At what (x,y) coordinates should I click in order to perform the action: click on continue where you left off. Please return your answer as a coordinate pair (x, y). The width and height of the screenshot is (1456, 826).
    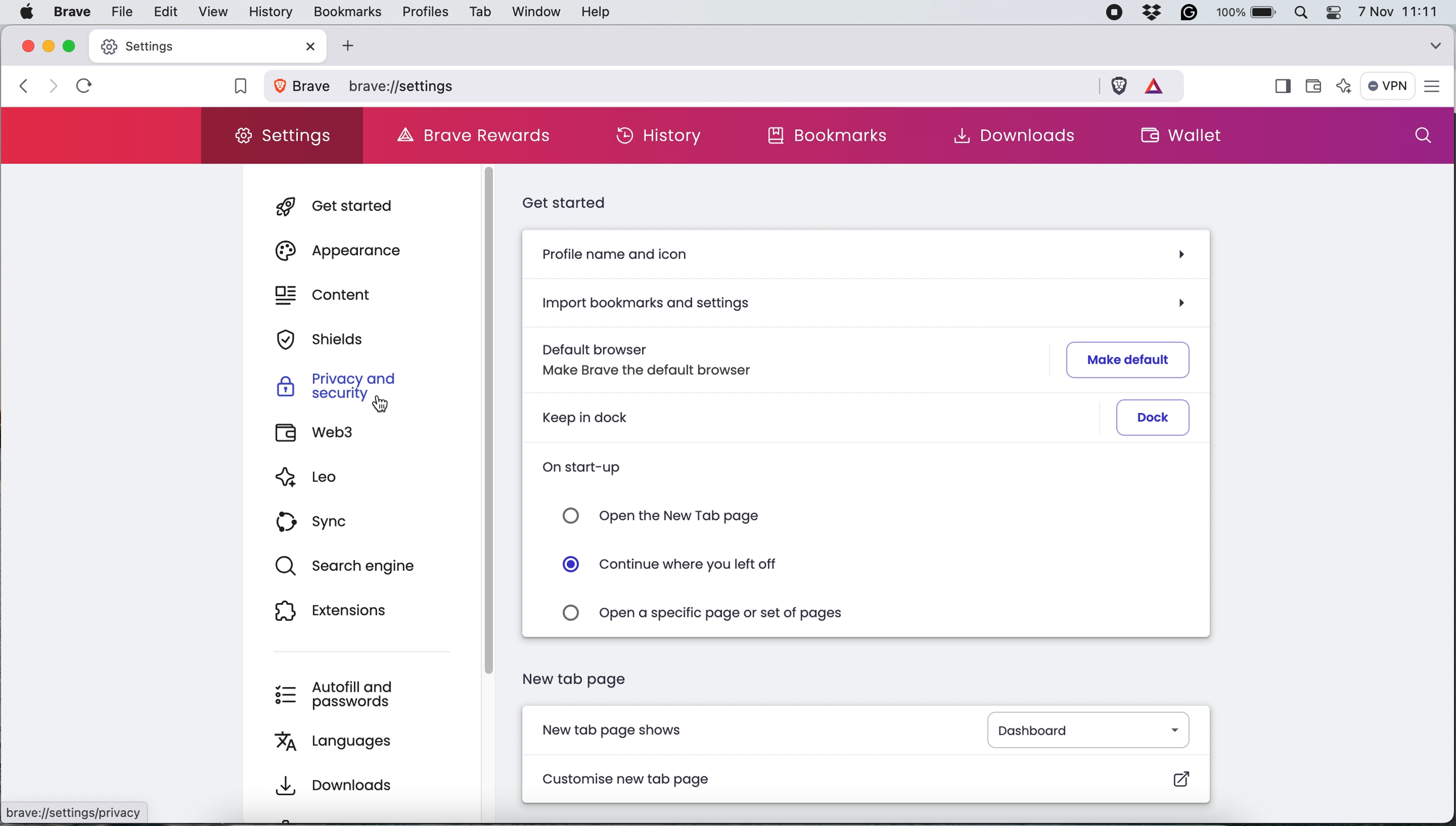
    Looking at the image, I should click on (681, 562).